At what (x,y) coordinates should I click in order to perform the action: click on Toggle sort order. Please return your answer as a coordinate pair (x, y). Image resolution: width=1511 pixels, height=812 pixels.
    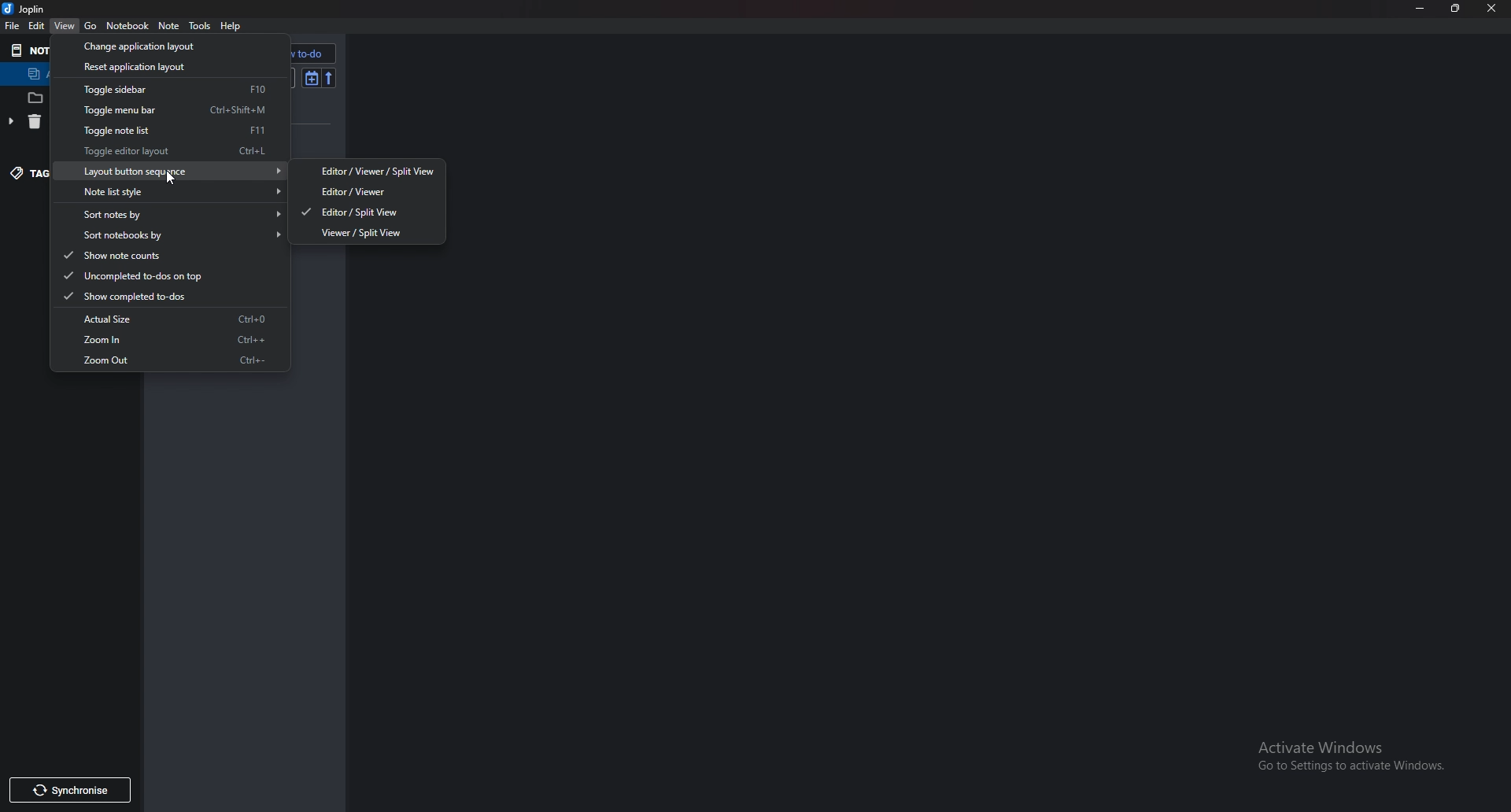
    Looking at the image, I should click on (312, 79).